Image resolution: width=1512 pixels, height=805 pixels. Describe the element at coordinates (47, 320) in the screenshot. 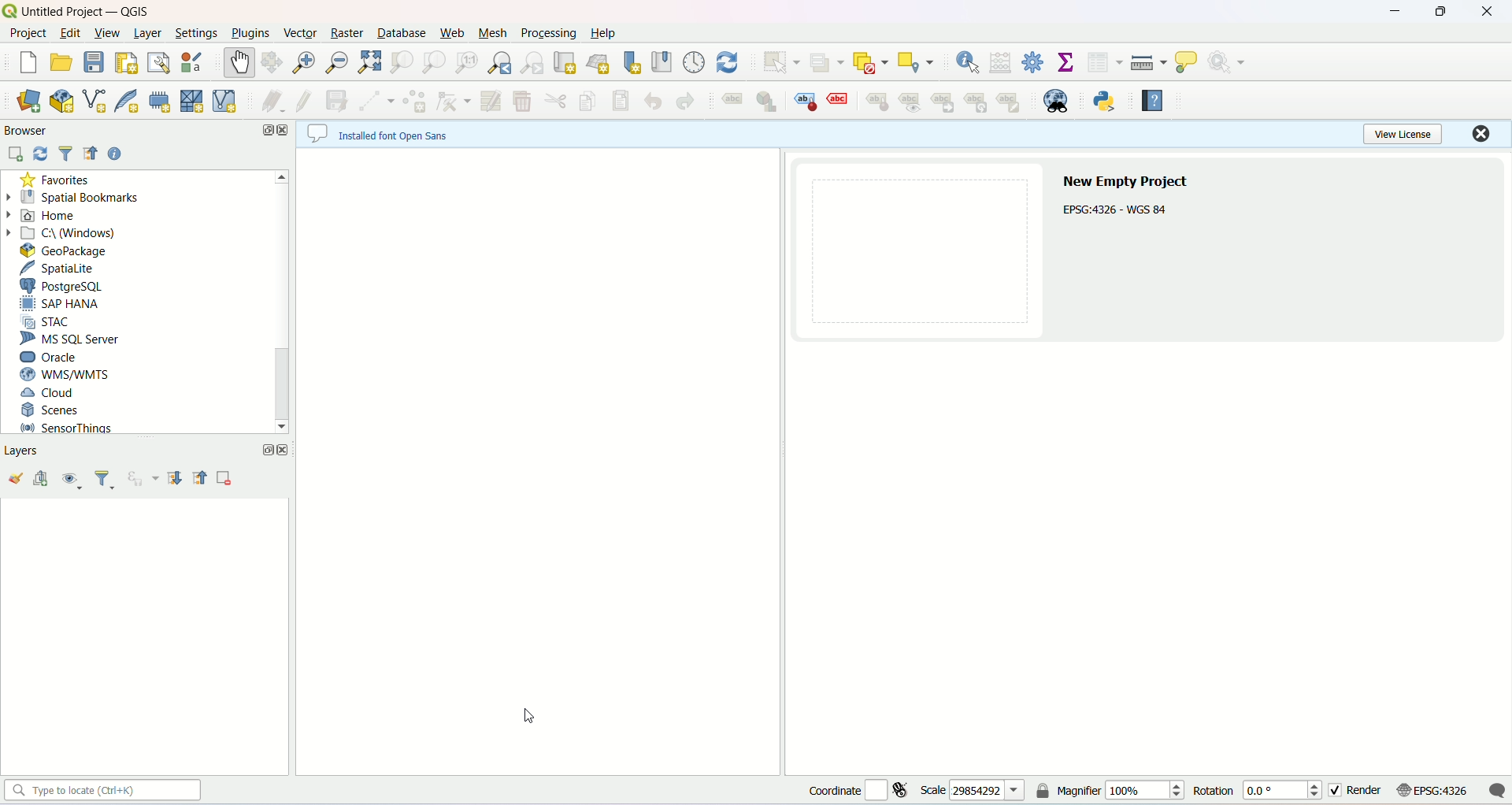

I see `STAC` at that location.